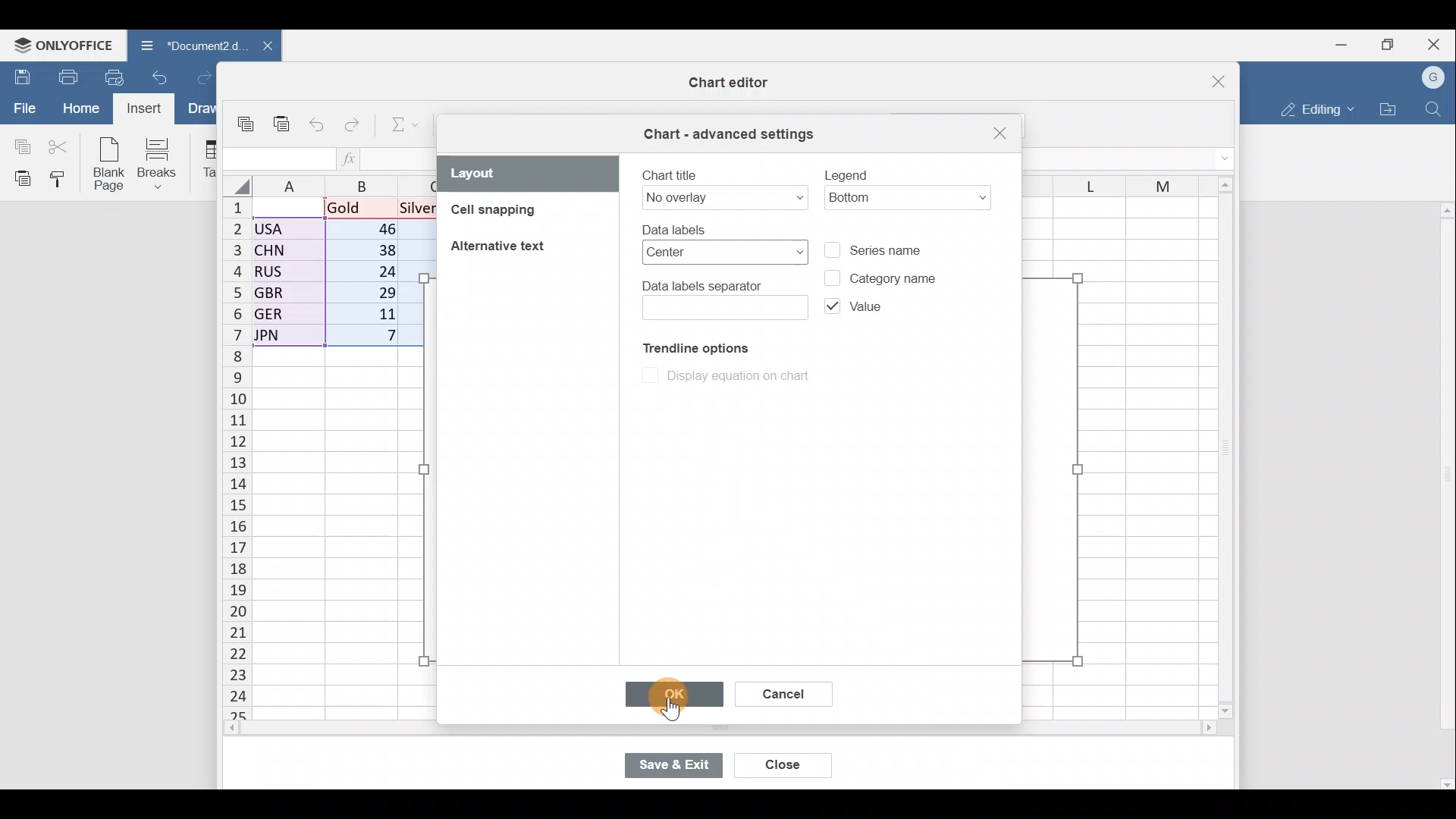  I want to click on Copy, so click(249, 126).